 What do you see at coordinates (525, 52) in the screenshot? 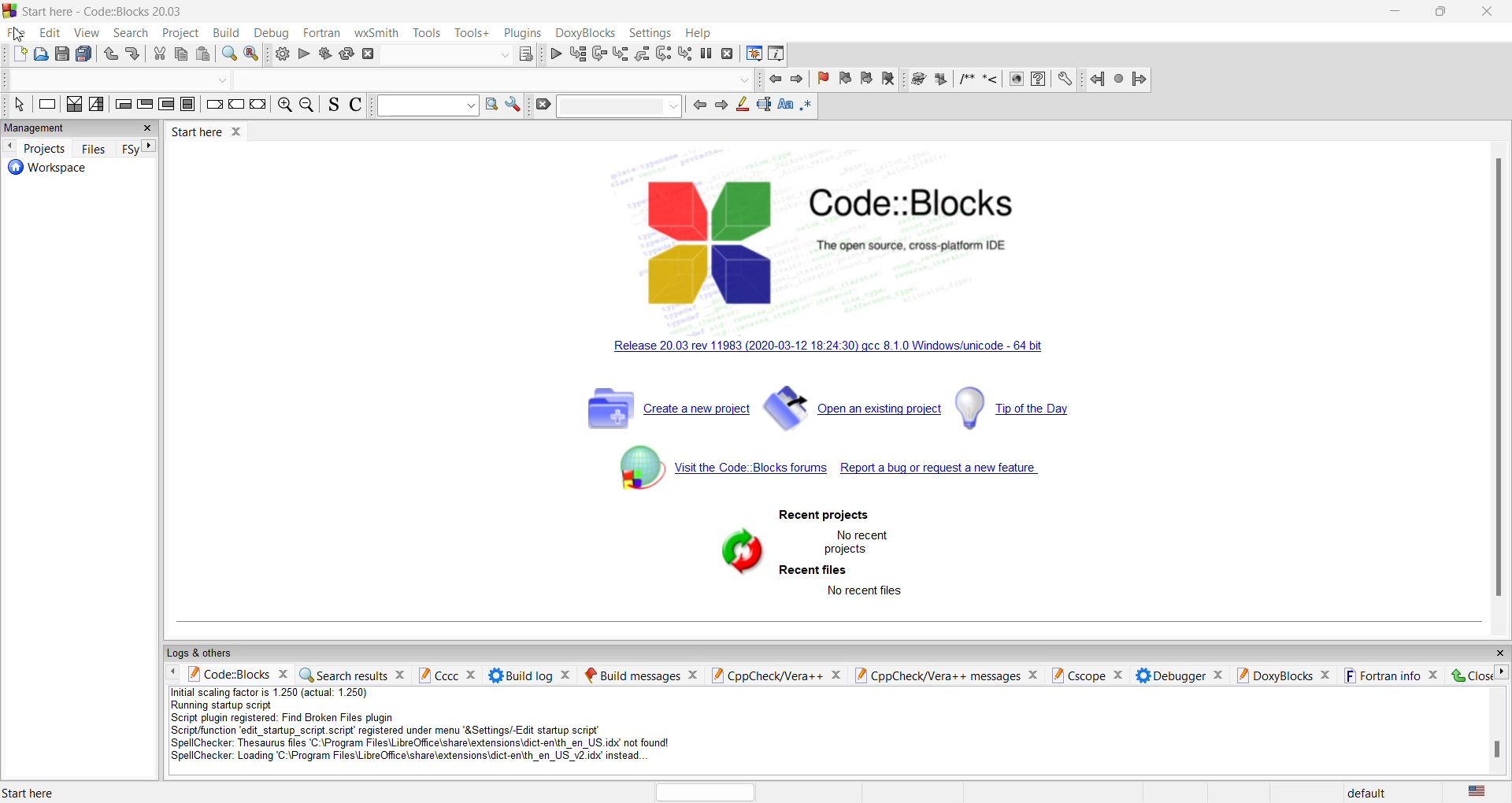
I see `target dialog` at bounding box center [525, 52].